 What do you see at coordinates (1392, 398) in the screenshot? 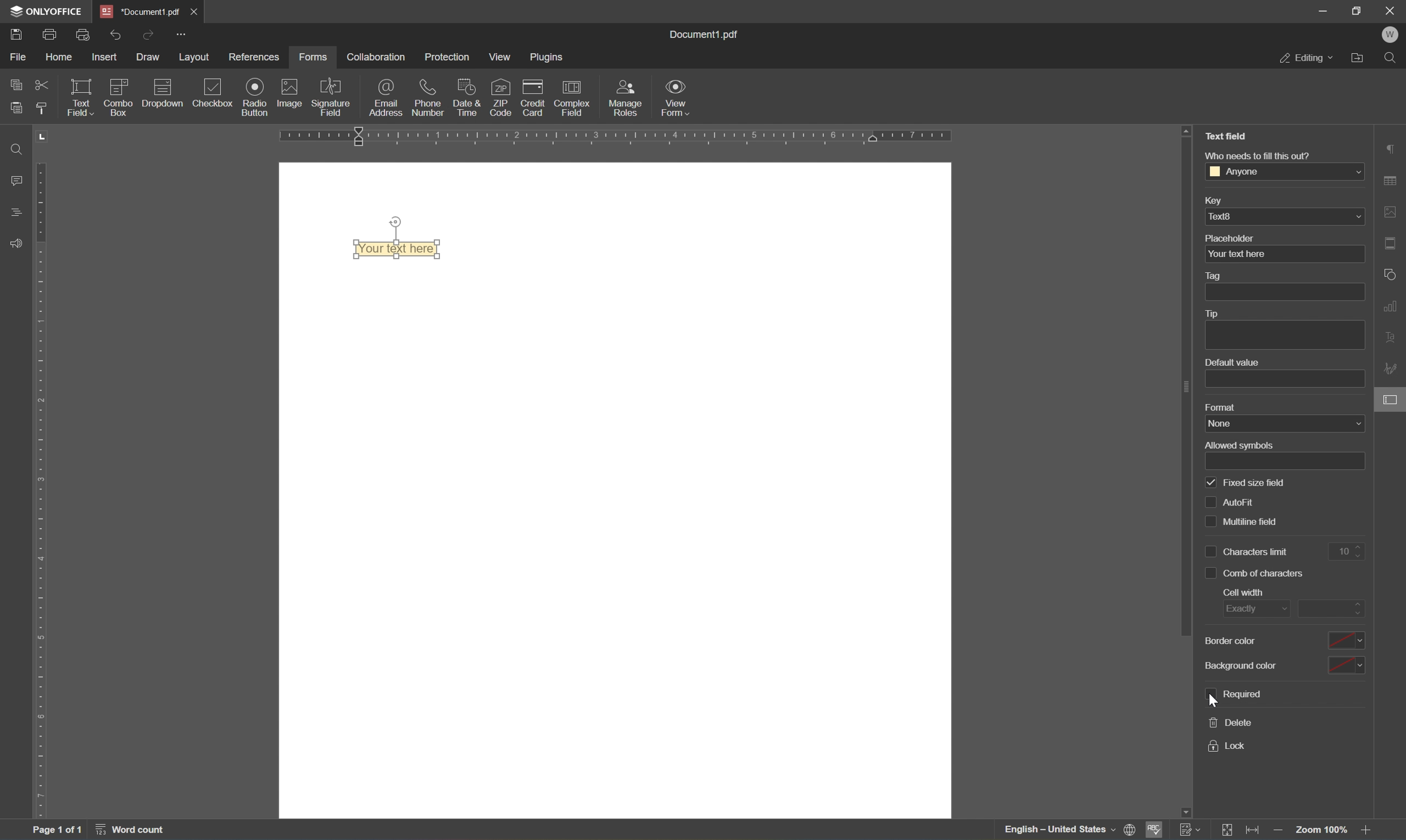
I see `form settings` at bounding box center [1392, 398].